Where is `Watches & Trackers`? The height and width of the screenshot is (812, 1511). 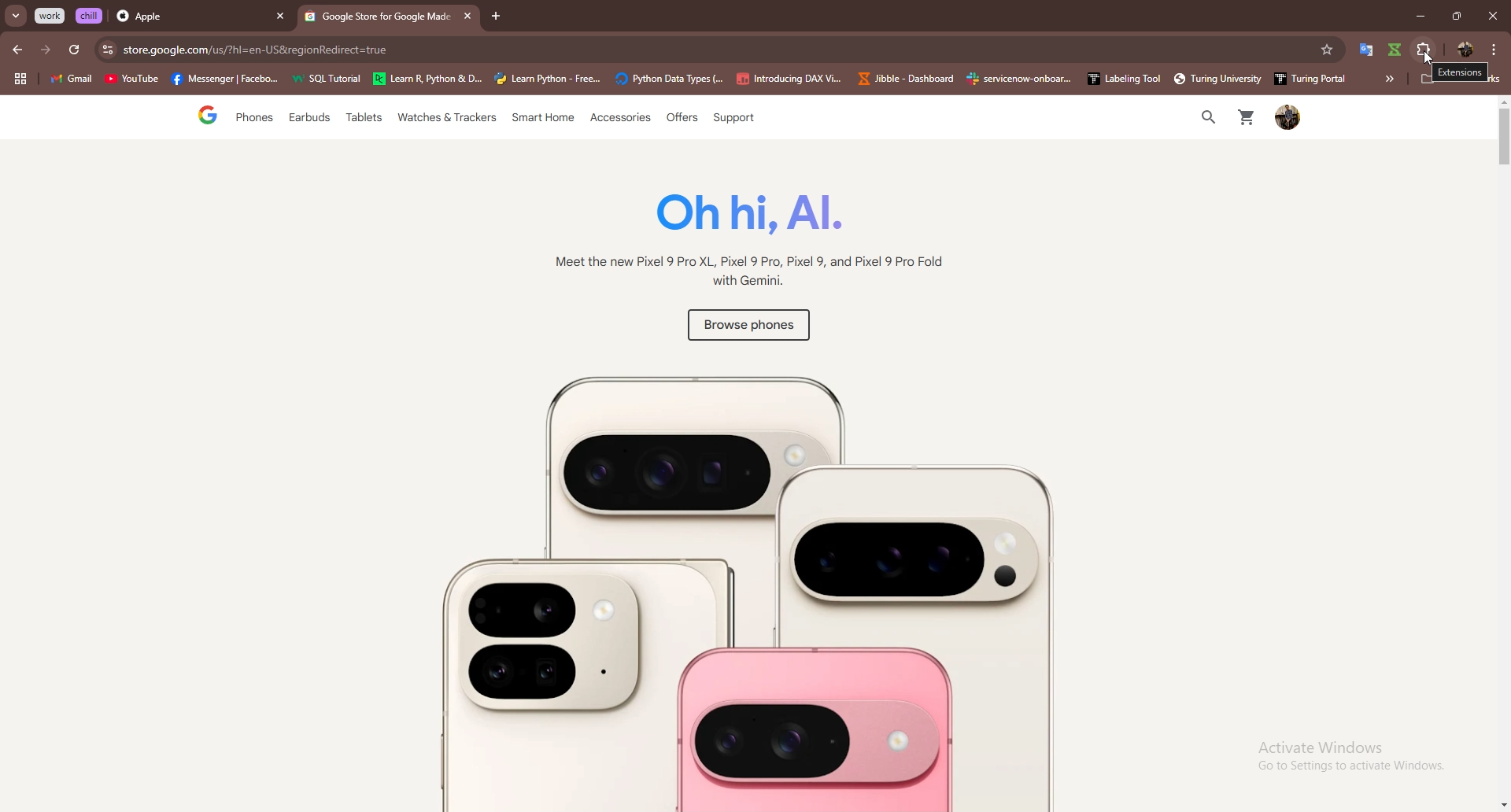 Watches & Trackers is located at coordinates (449, 119).